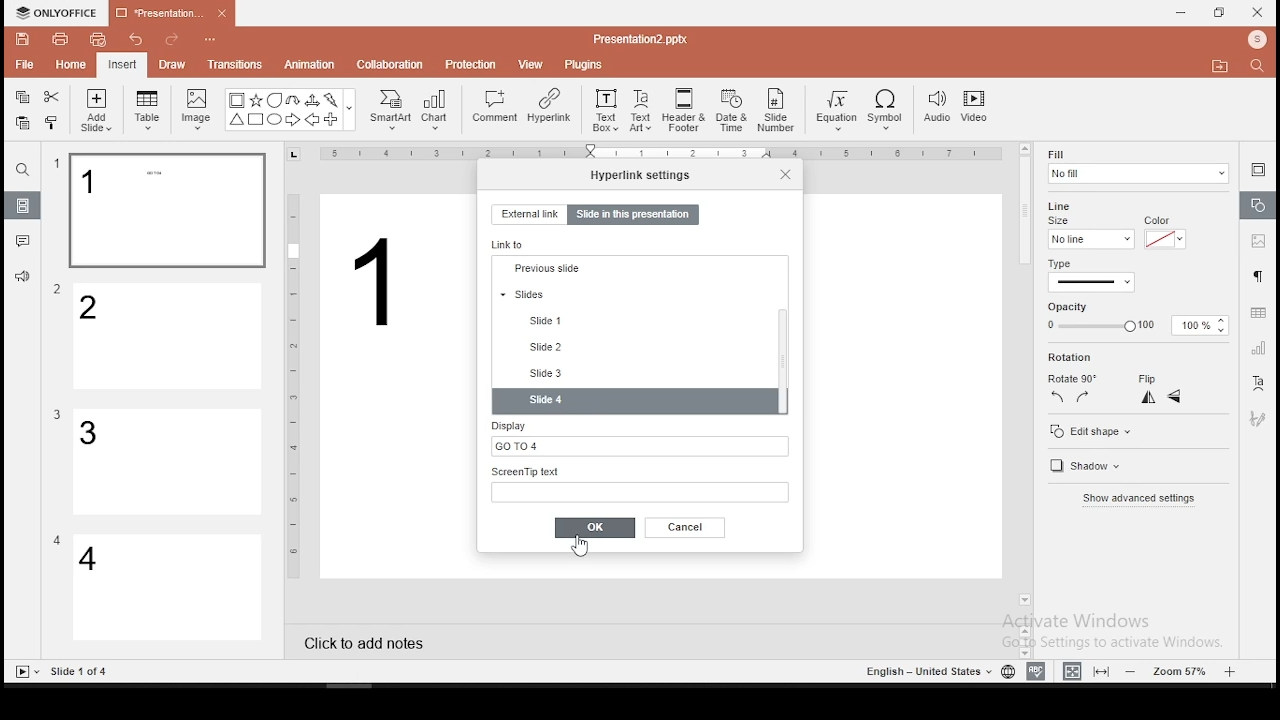 The image size is (1280, 720). Describe the element at coordinates (60, 37) in the screenshot. I see `print file` at that location.